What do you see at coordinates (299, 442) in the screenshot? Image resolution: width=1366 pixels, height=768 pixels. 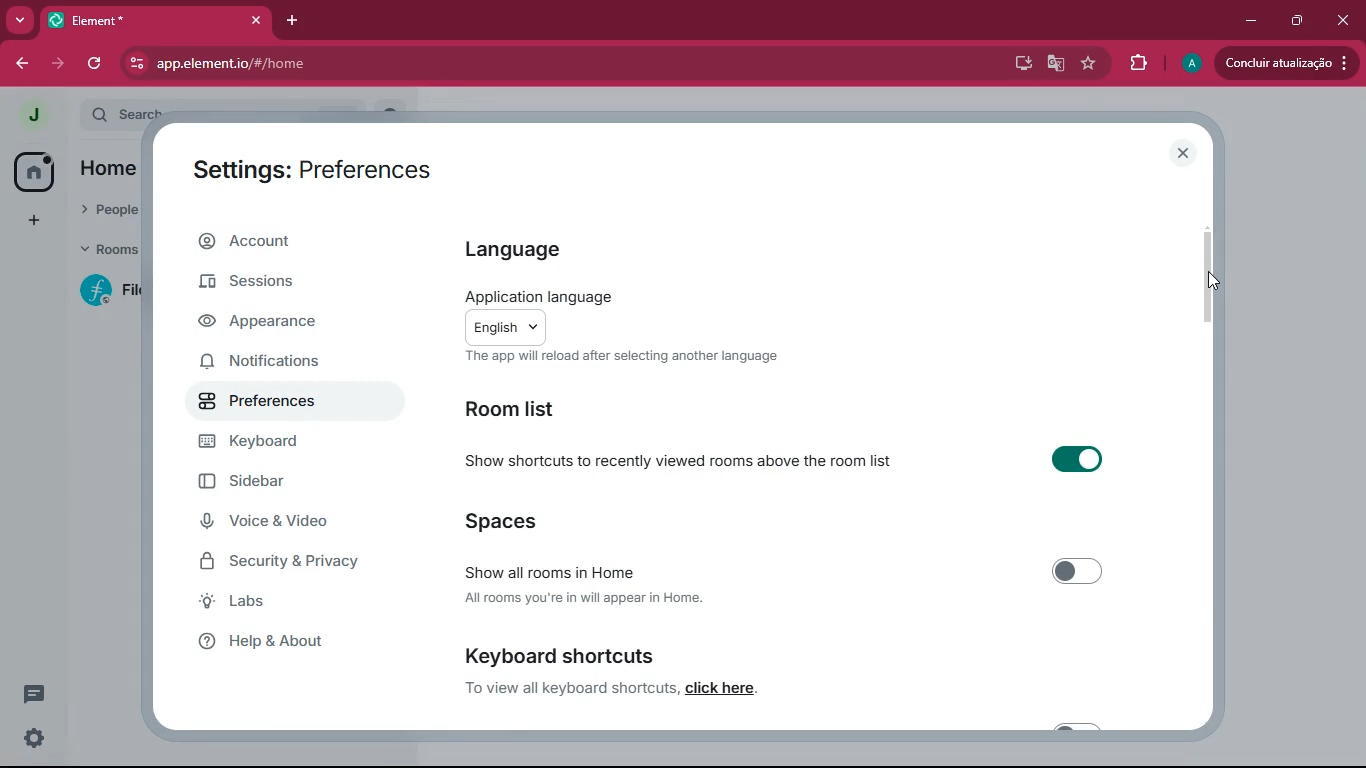 I see `keyboard` at bounding box center [299, 442].